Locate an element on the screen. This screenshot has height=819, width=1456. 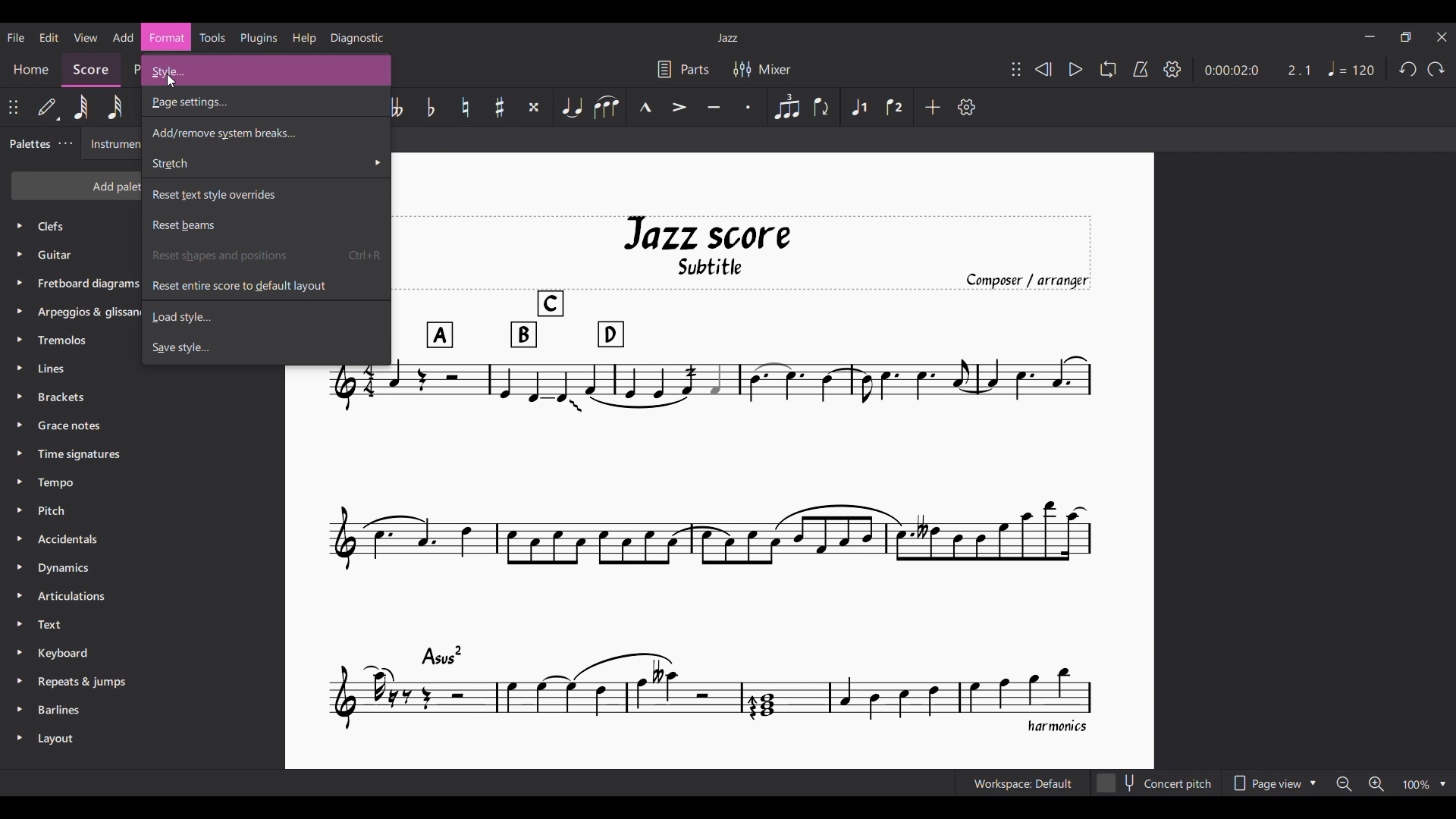
Toggle double flat is located at coordinates (396, 107).